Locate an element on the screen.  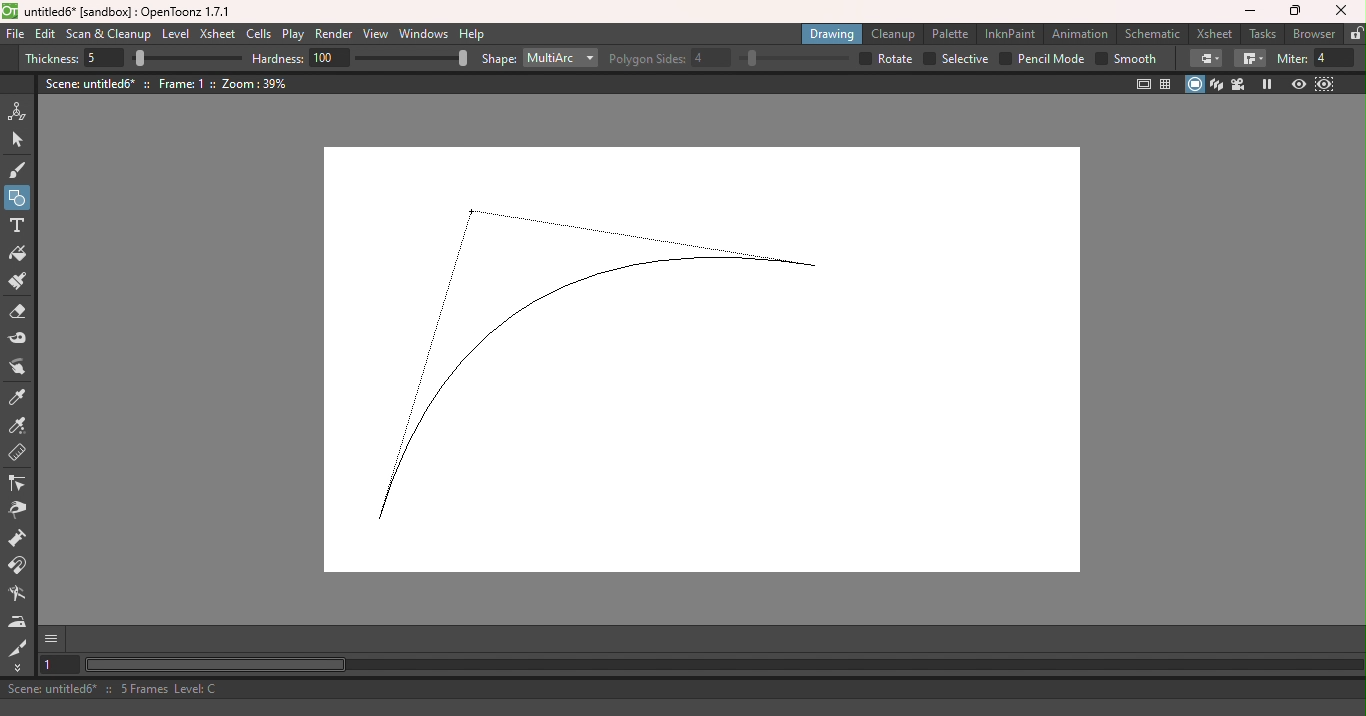
Rotate is located at coordinates (886, 59).